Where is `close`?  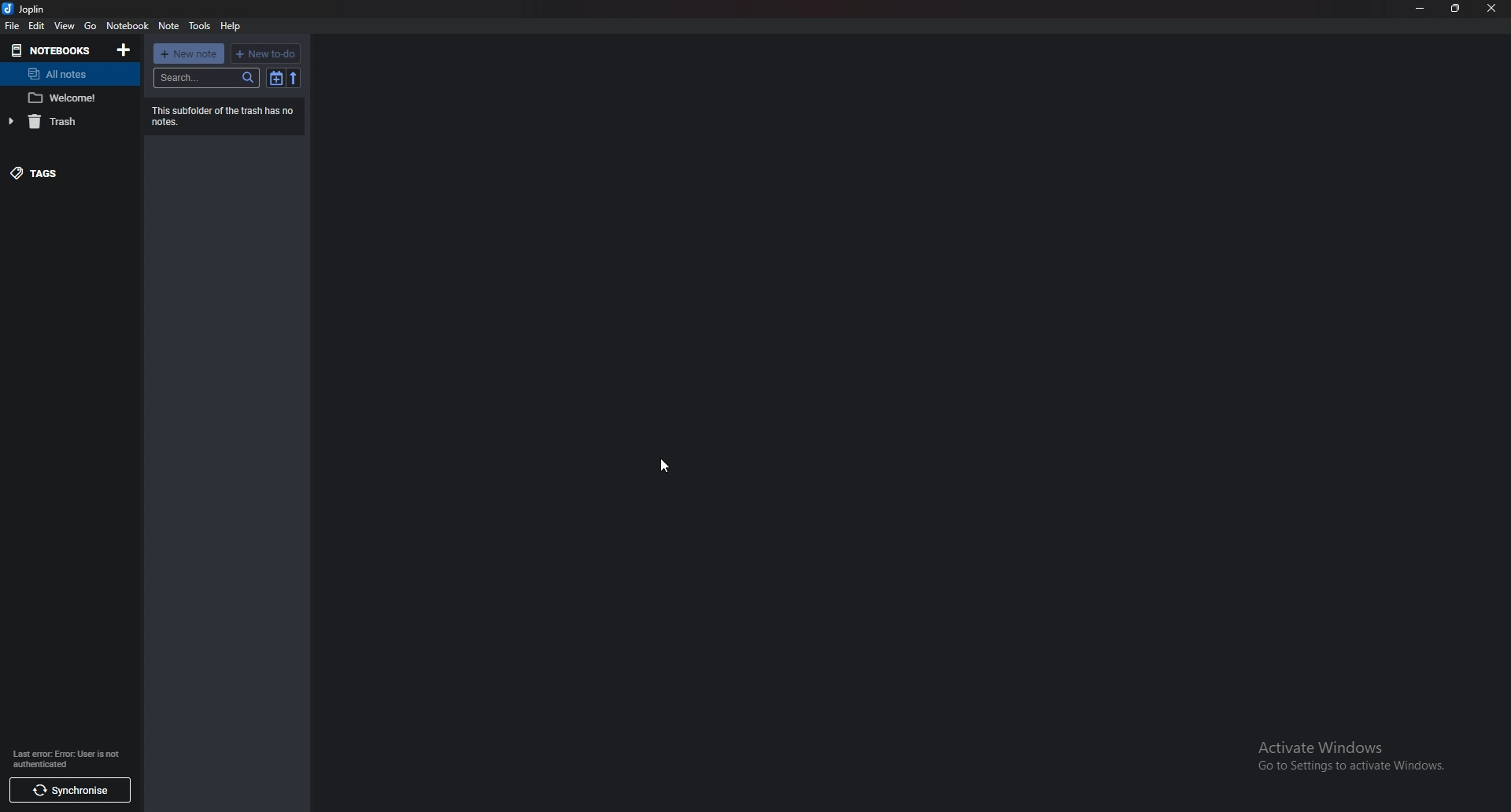 close is located at coordinates (1491, 9).